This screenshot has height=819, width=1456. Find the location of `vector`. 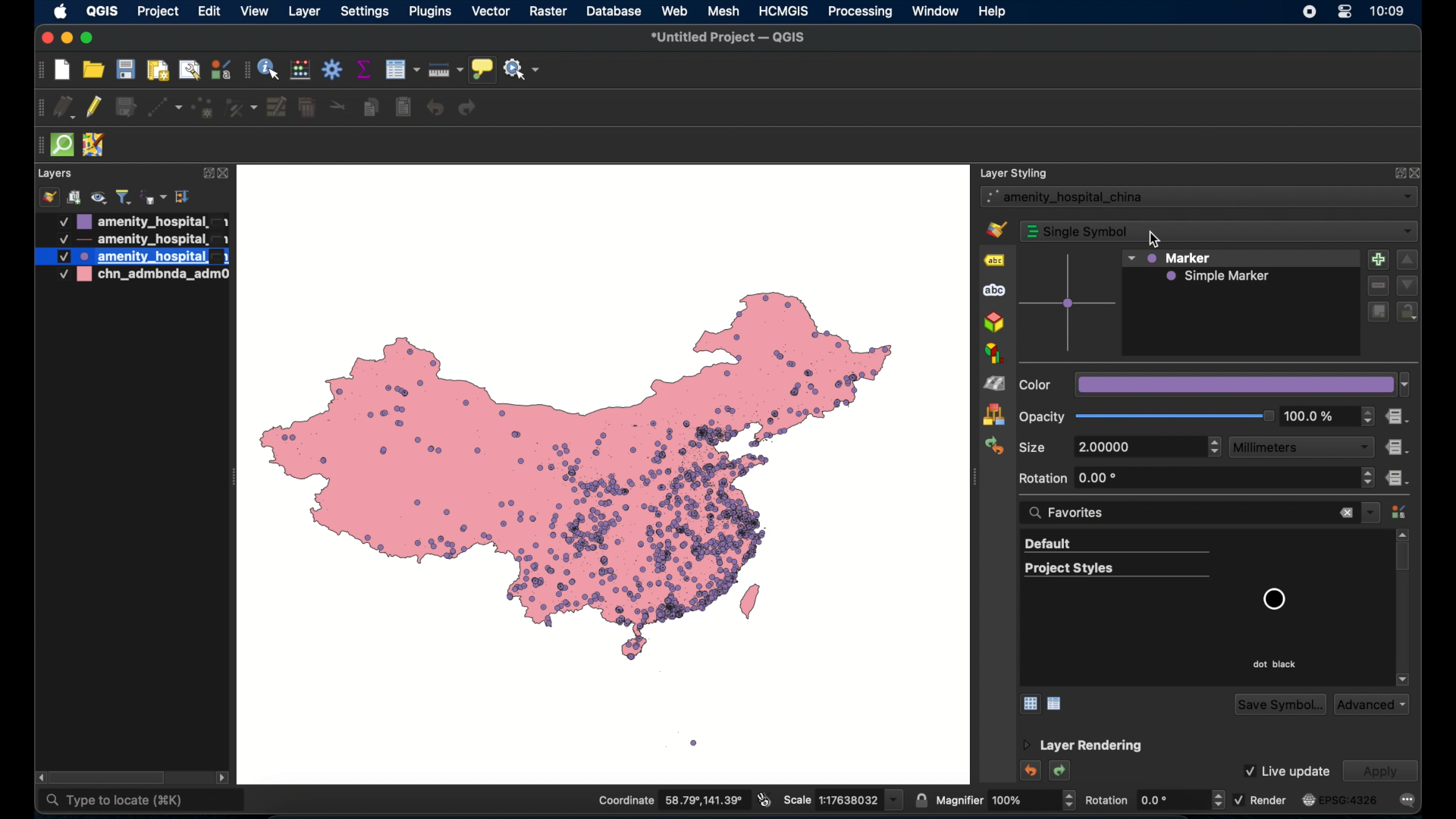

vector is located at coordinates (491, 12).